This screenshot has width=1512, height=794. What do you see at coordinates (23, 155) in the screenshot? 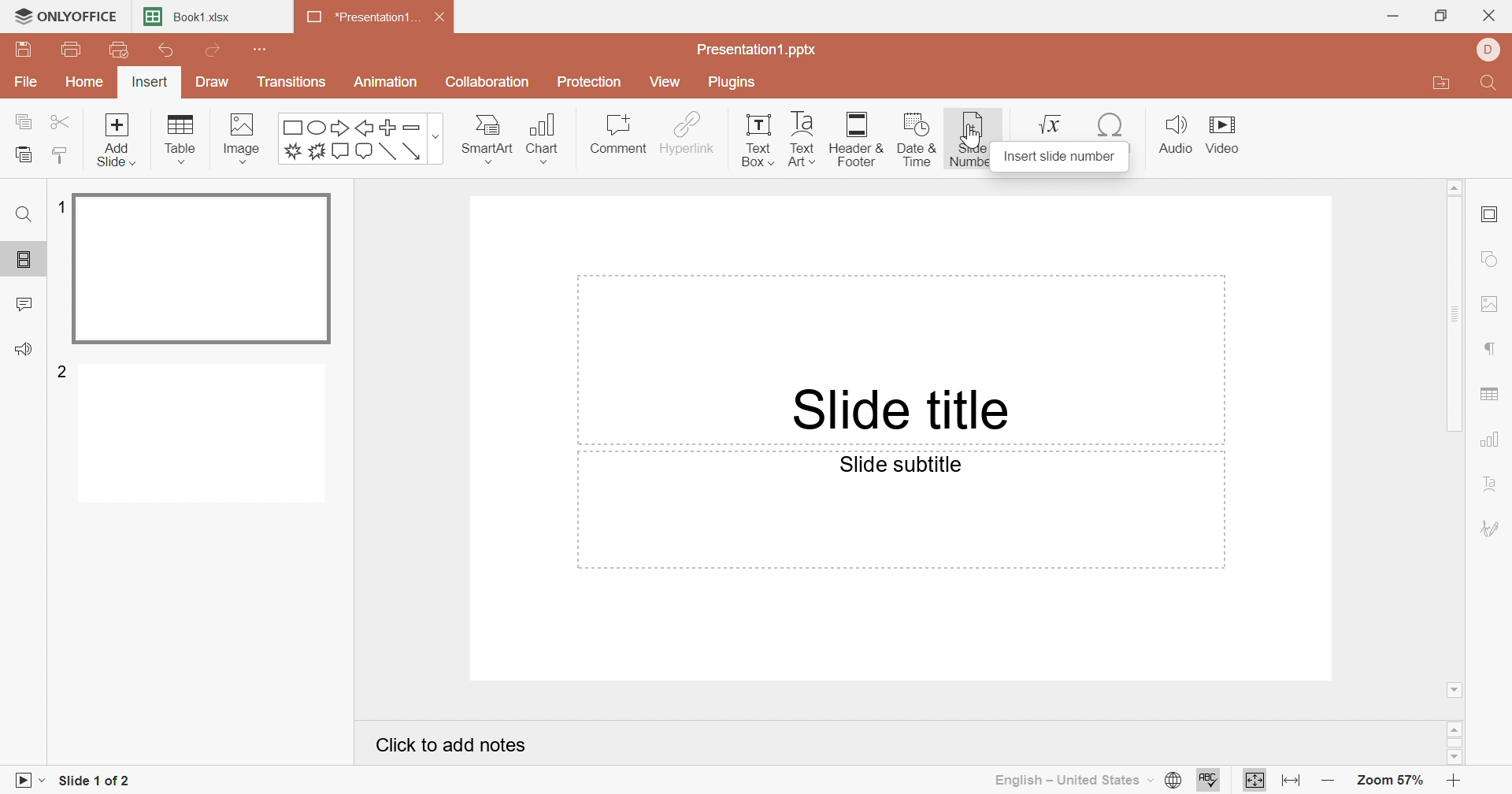
I see `Paste` at bounding box center [23, 155].